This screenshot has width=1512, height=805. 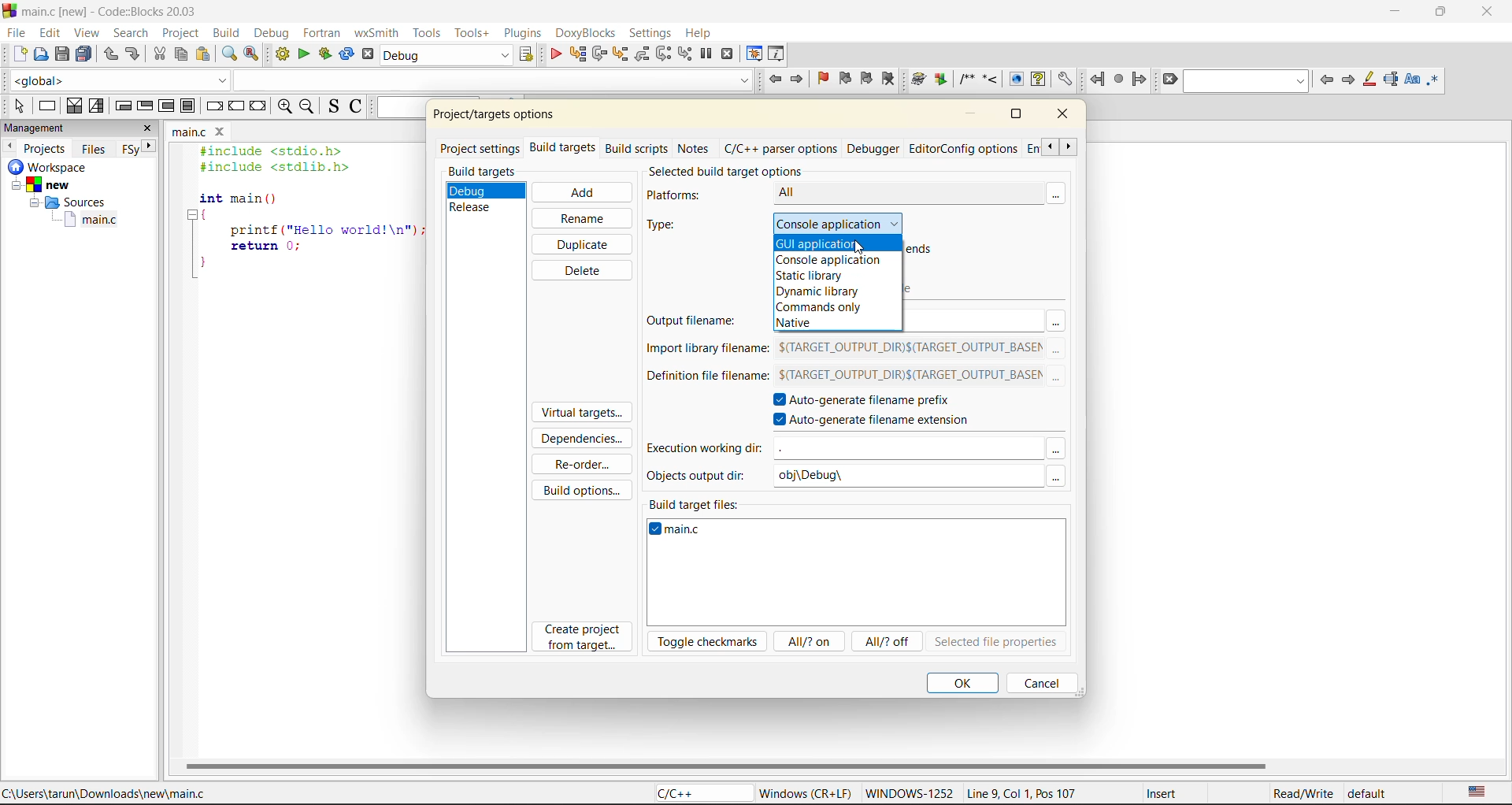 What do you see at coordinates (52, 127) in the screenshot?
I see `management` at bounding box center [52, 127].